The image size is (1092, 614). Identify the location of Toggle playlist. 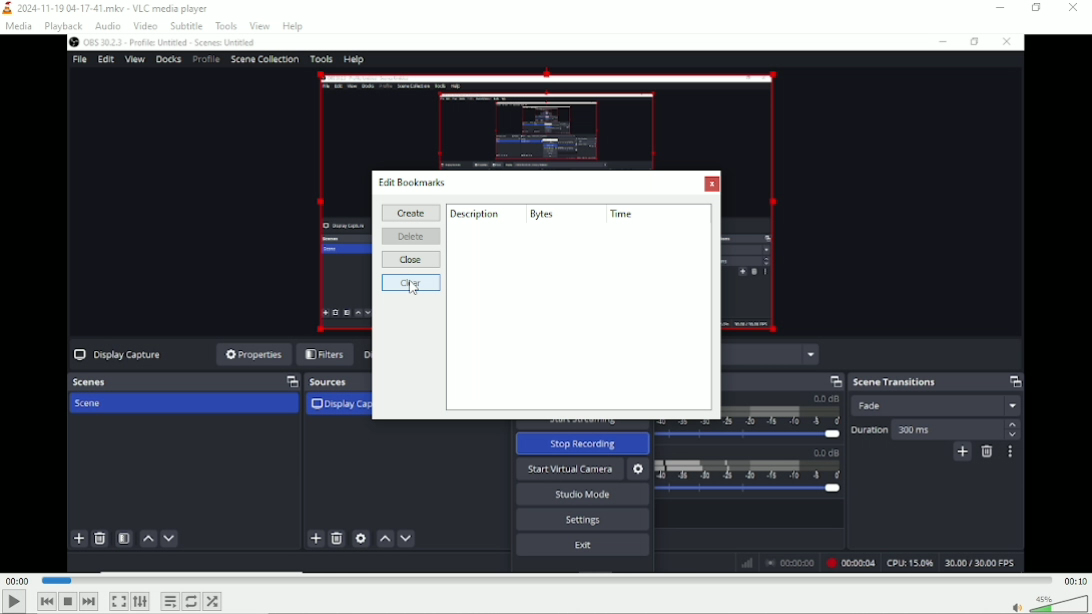
(169, 601).